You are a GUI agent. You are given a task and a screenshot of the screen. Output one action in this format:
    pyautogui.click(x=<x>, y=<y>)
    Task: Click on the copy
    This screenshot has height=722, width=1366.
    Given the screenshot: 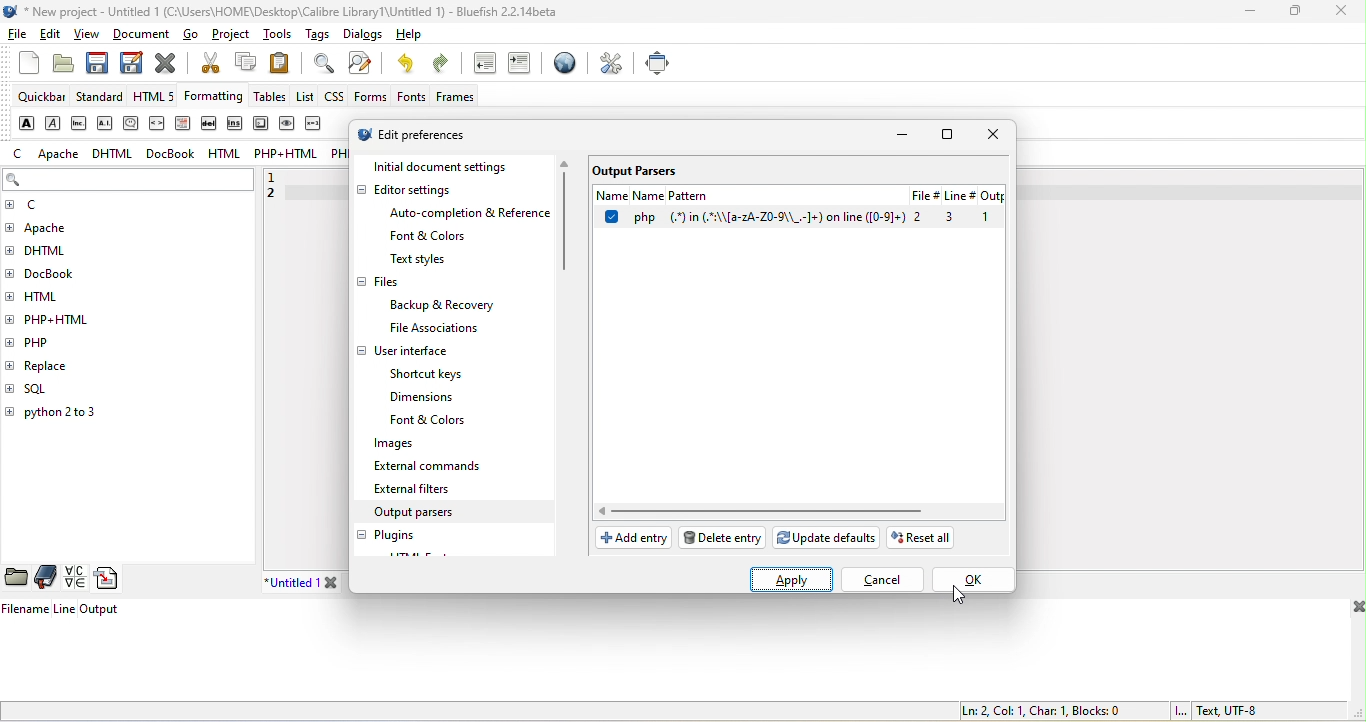 What is the action you would take?
    pyautogui.click(x=249, y=64)
    